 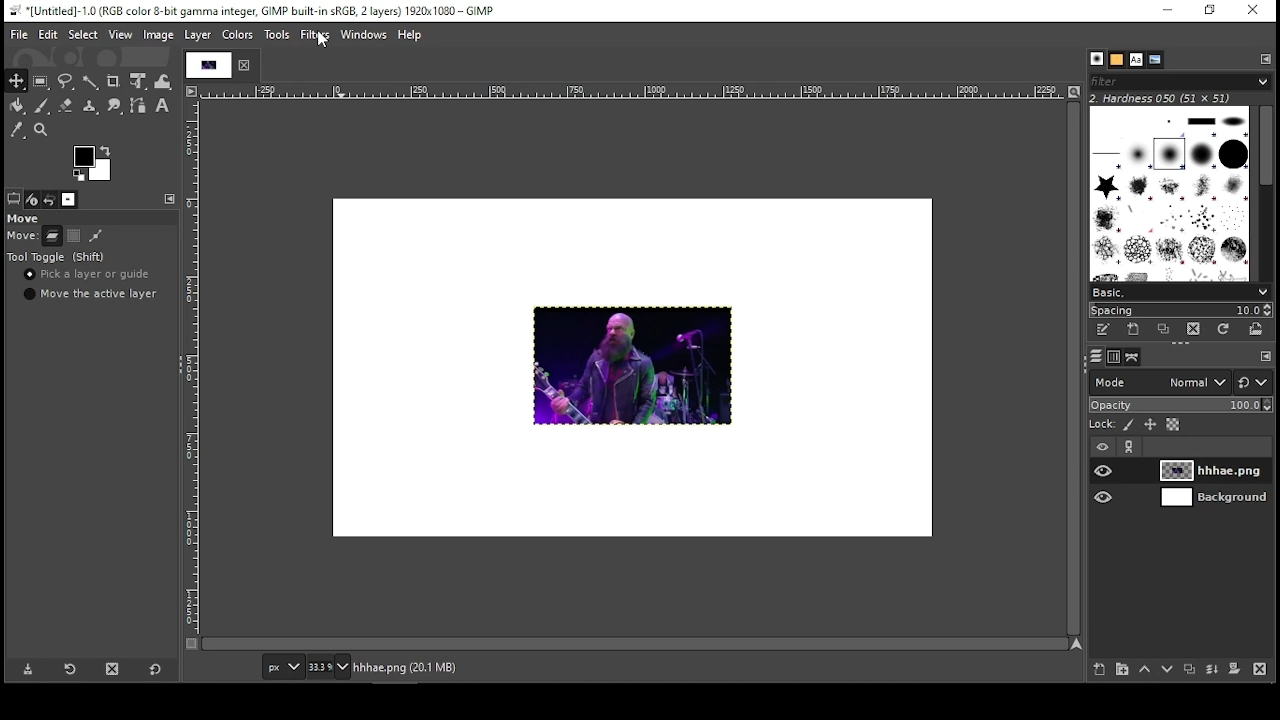 I want to click on fuzzy selection tool, so click(x=90, y=83).